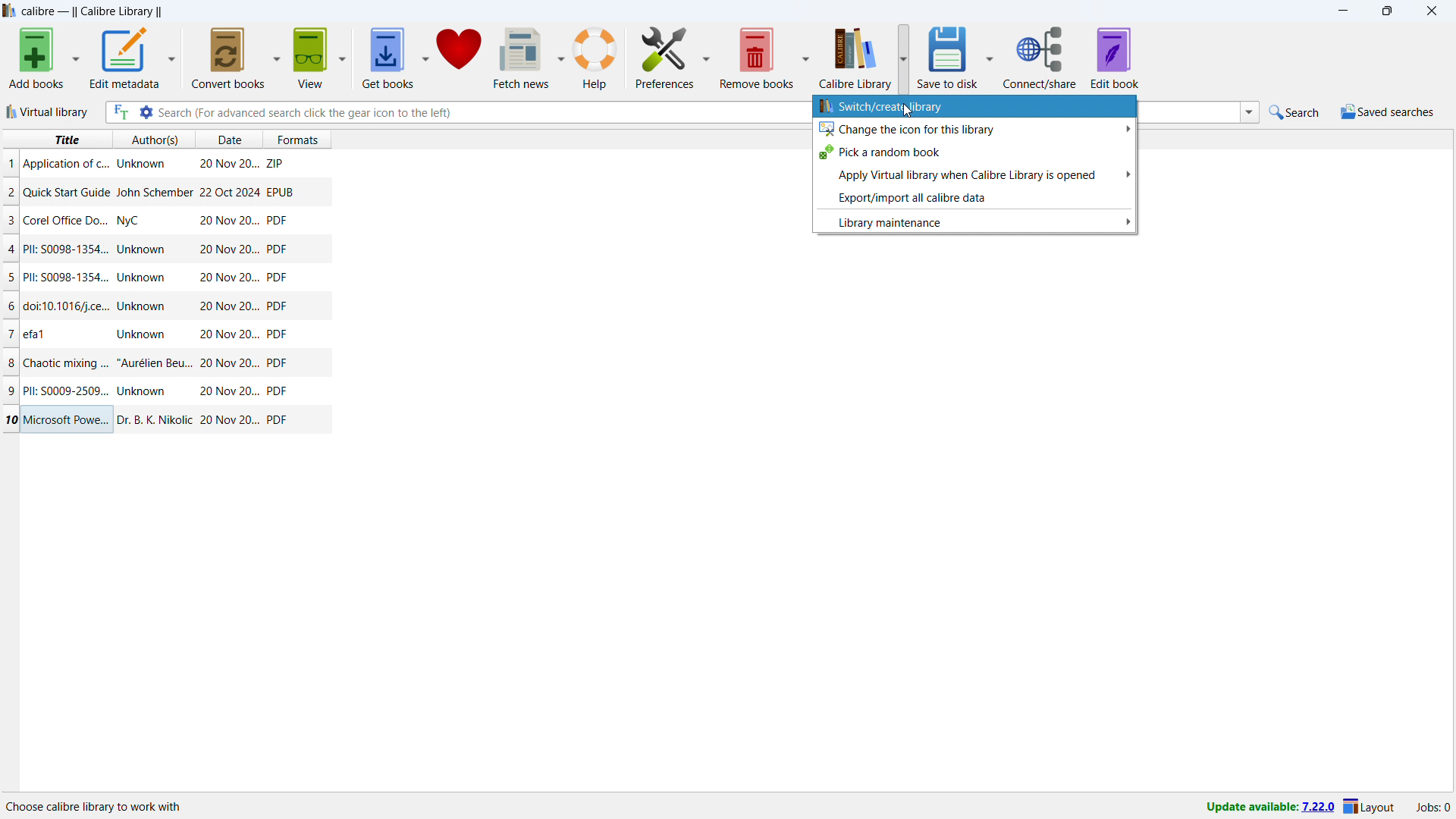  Describe the element at coordinates (119, 112) in the screenshot. I see `full text search` at that location.